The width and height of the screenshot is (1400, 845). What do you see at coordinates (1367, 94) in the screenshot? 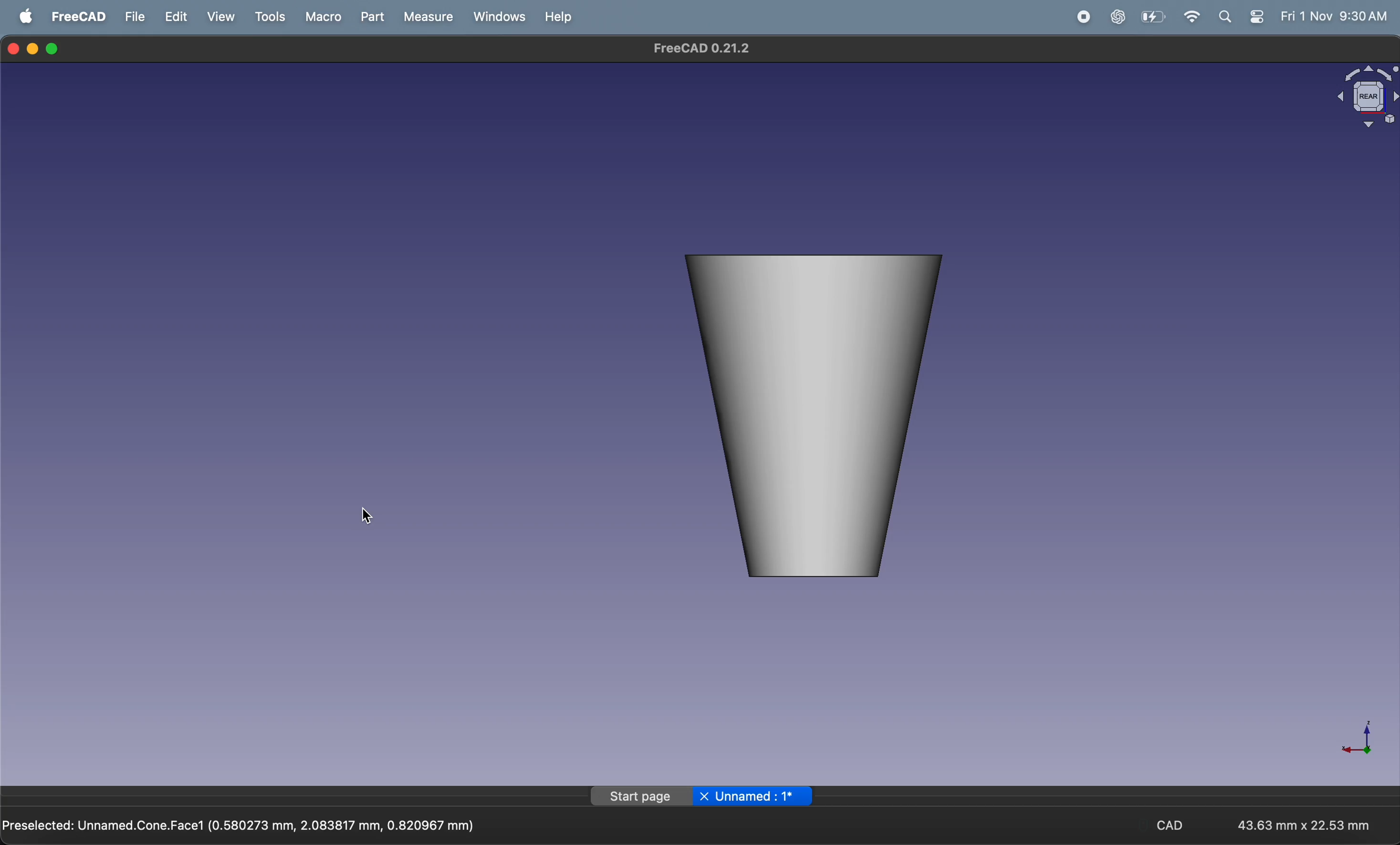
I see `object view` at bounding box center [1367, 94].